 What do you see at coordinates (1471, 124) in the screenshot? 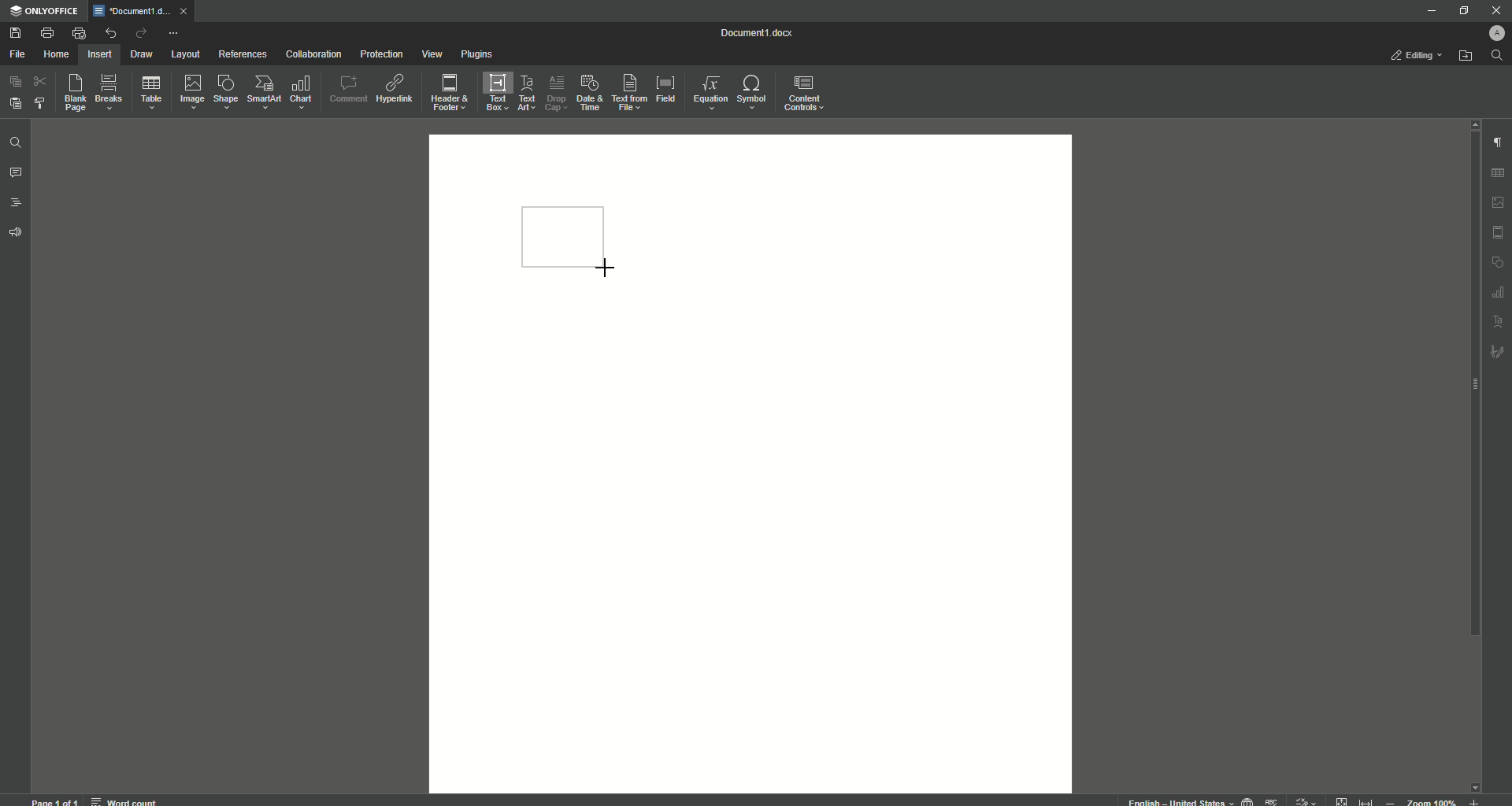
I see `scroll up` at bounding box center [1471, 124].